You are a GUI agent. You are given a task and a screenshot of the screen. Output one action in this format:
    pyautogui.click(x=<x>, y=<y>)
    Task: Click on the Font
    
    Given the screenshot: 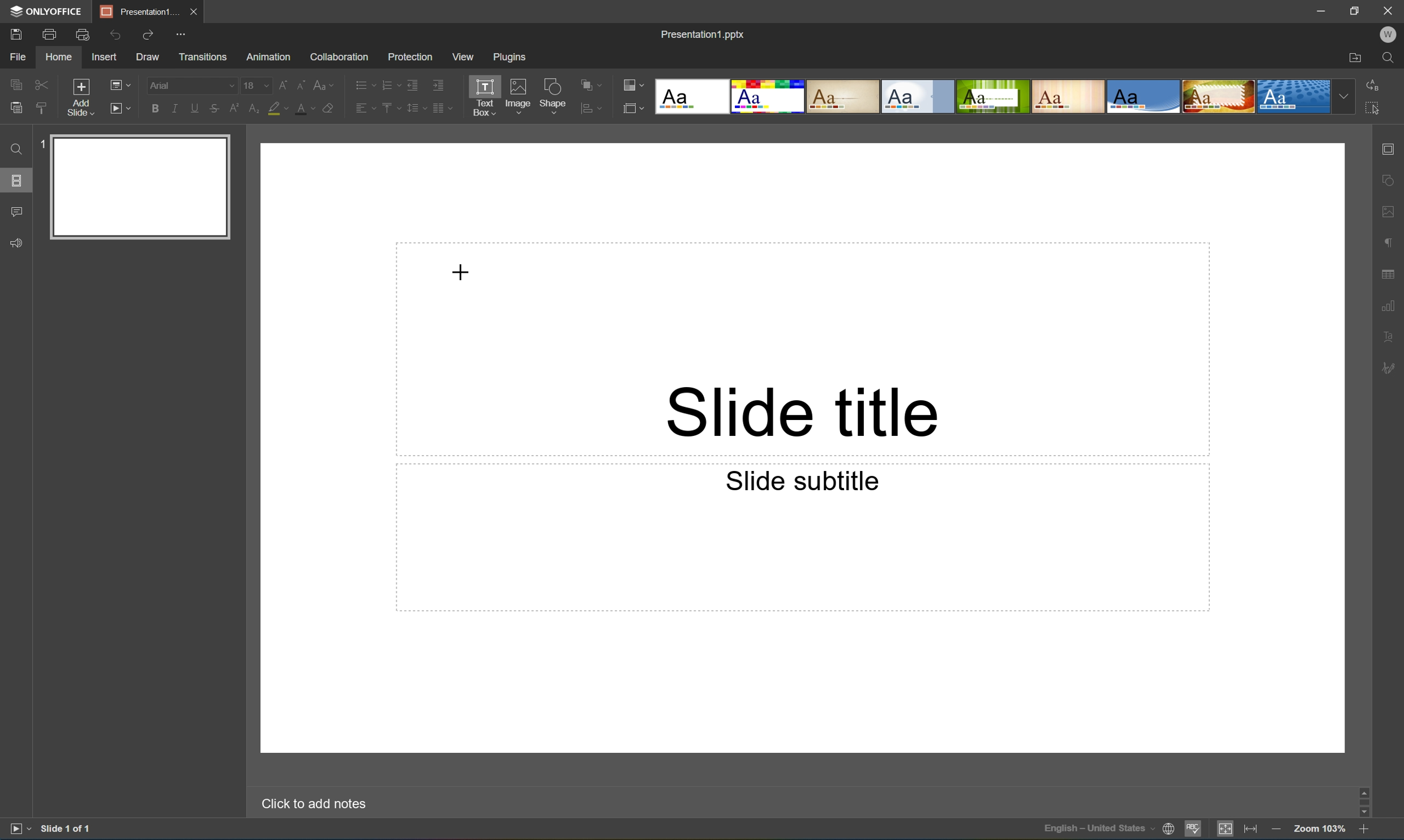 What is the action you would take?
    pyautogui.click(x=194, y=86)
    